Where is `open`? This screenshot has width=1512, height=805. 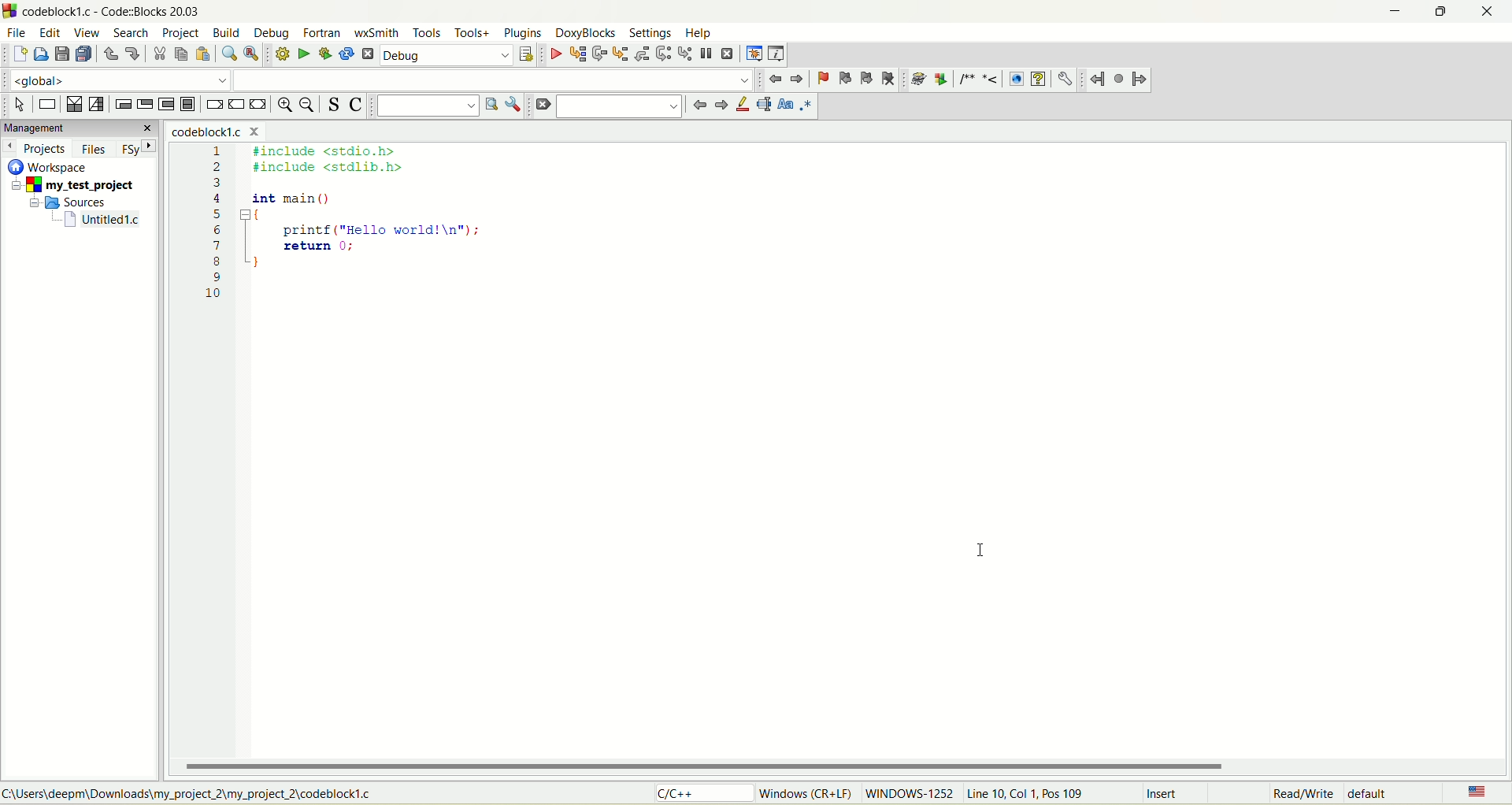
open is located at coordinates (42, 54).